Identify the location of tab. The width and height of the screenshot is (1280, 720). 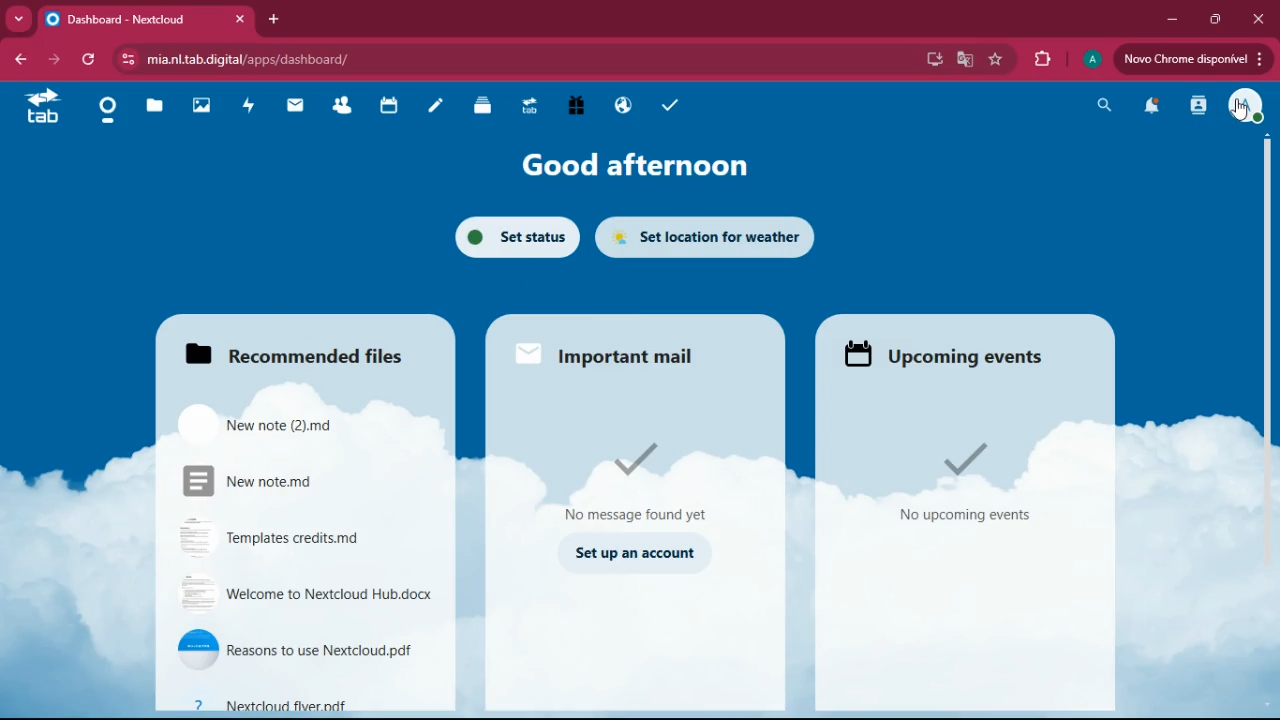
(530, 109).